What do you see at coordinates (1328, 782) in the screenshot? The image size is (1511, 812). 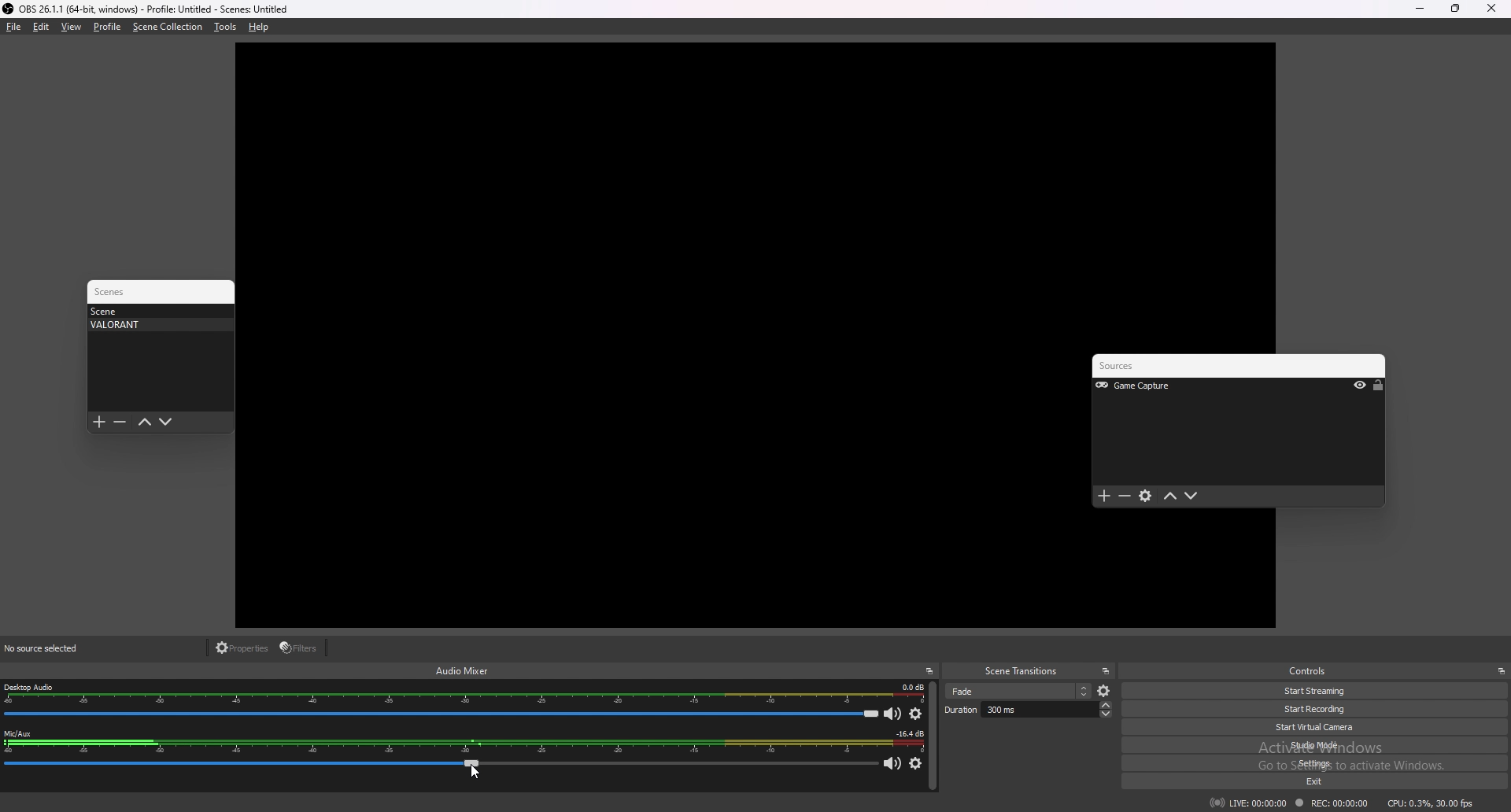 I see `exit` at bounding box center [1328, 782].